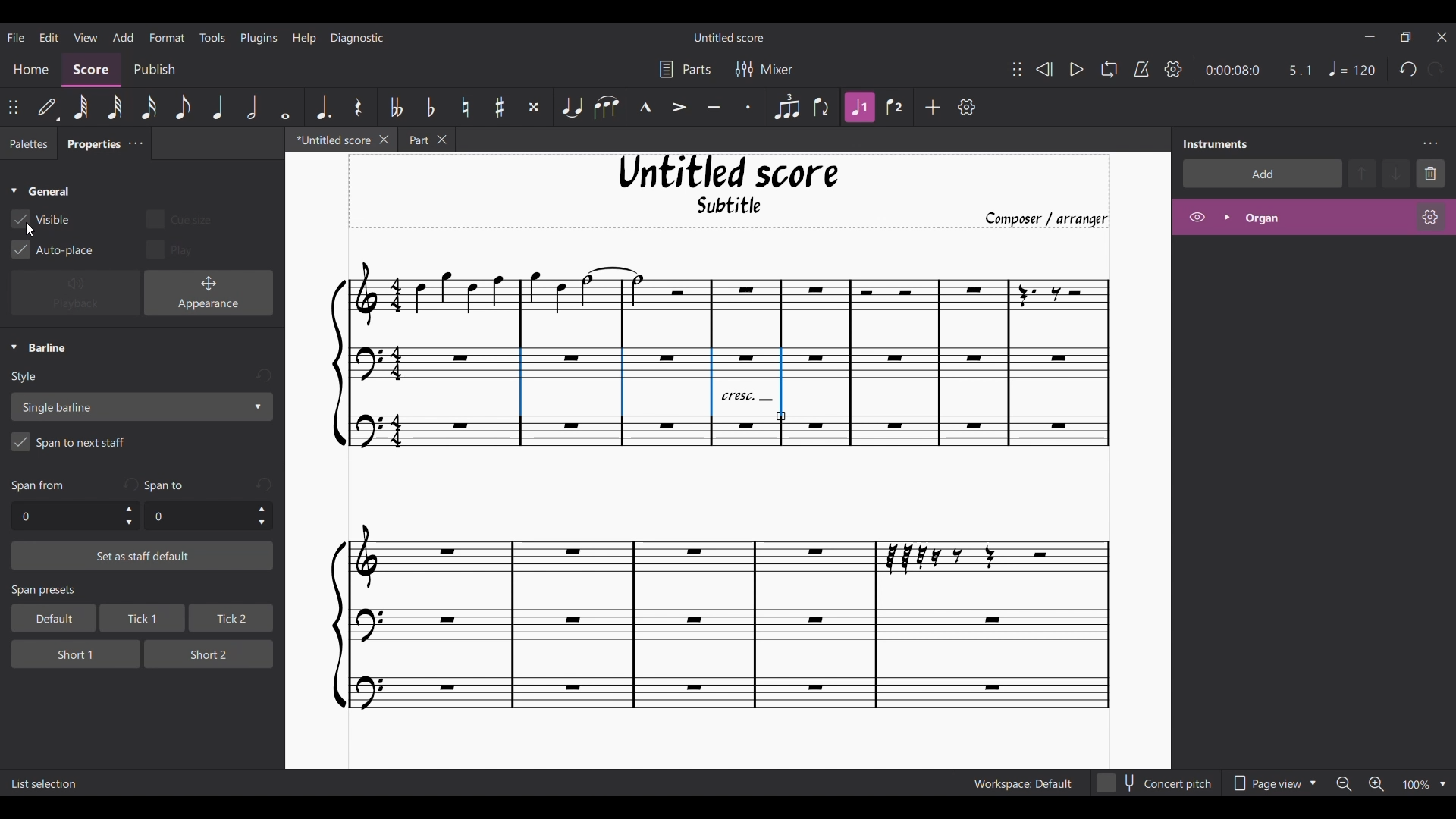 The width and height of the screenshot is (1456, 819). I want to click on Score section, so click(91, 68).